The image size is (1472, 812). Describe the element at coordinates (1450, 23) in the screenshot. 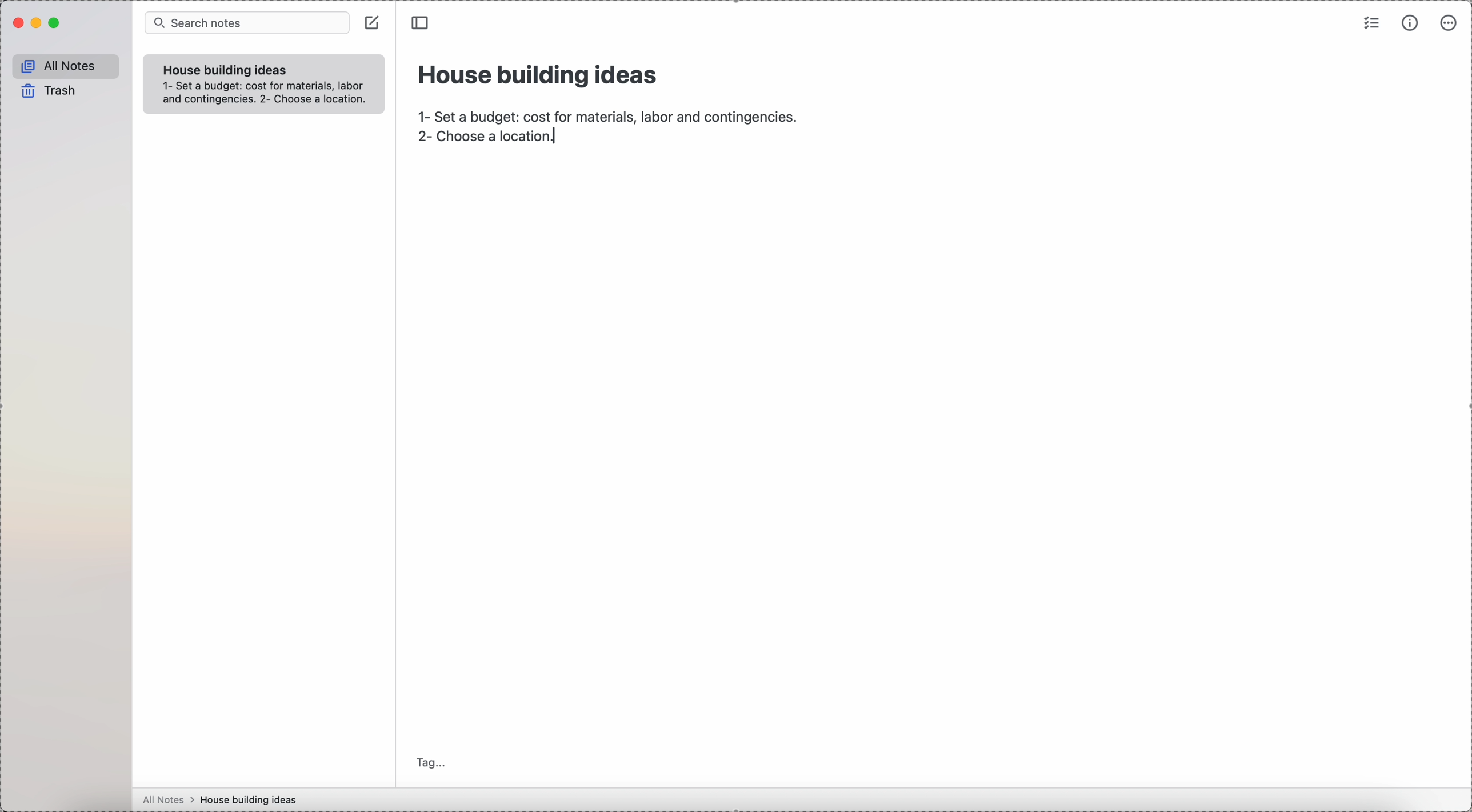

I see `more options` at that location.